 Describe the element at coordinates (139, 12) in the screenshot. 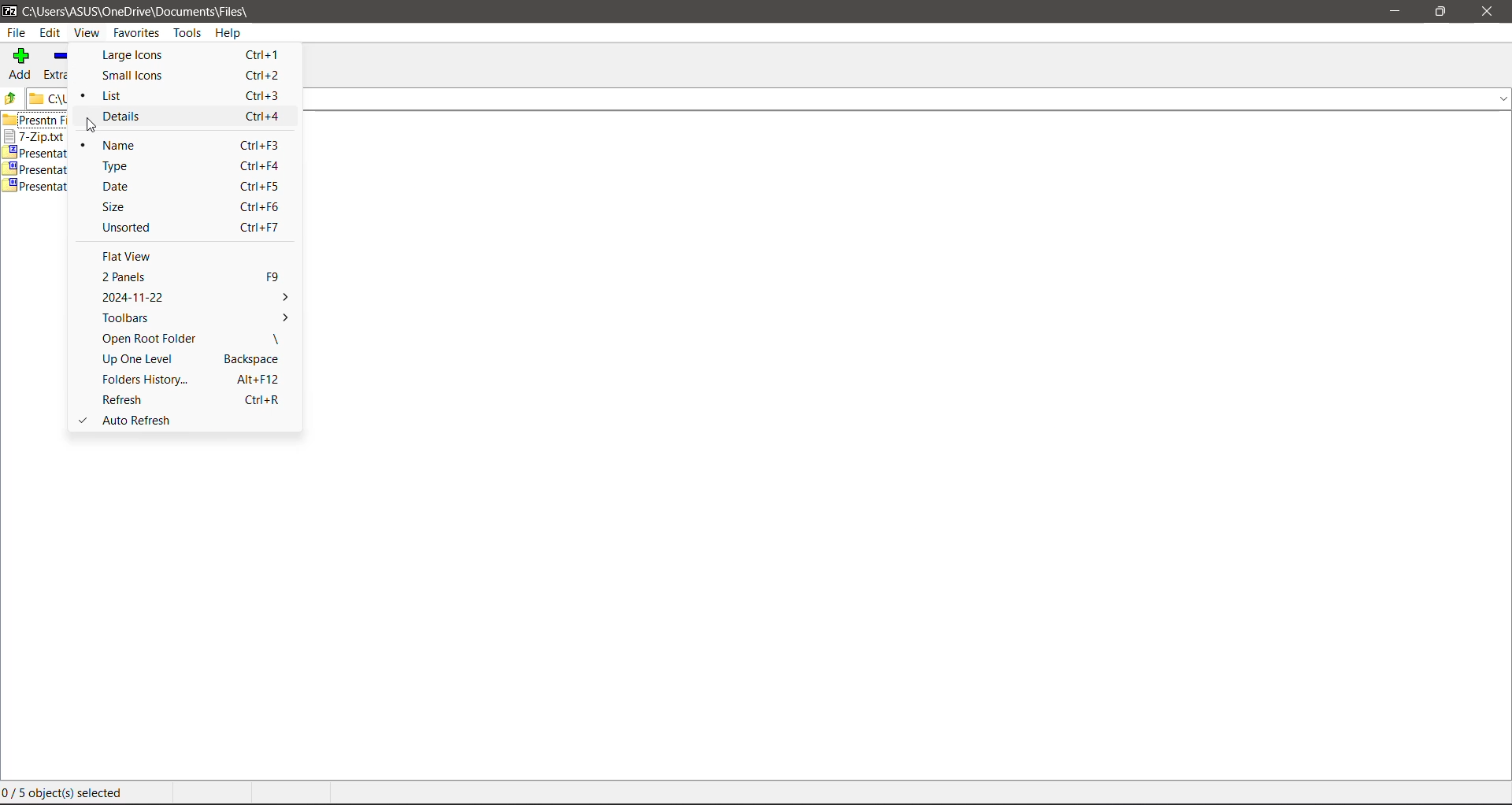

I see `C:\Users\ASUS\OneDrive\Documents\Files\` at that location.